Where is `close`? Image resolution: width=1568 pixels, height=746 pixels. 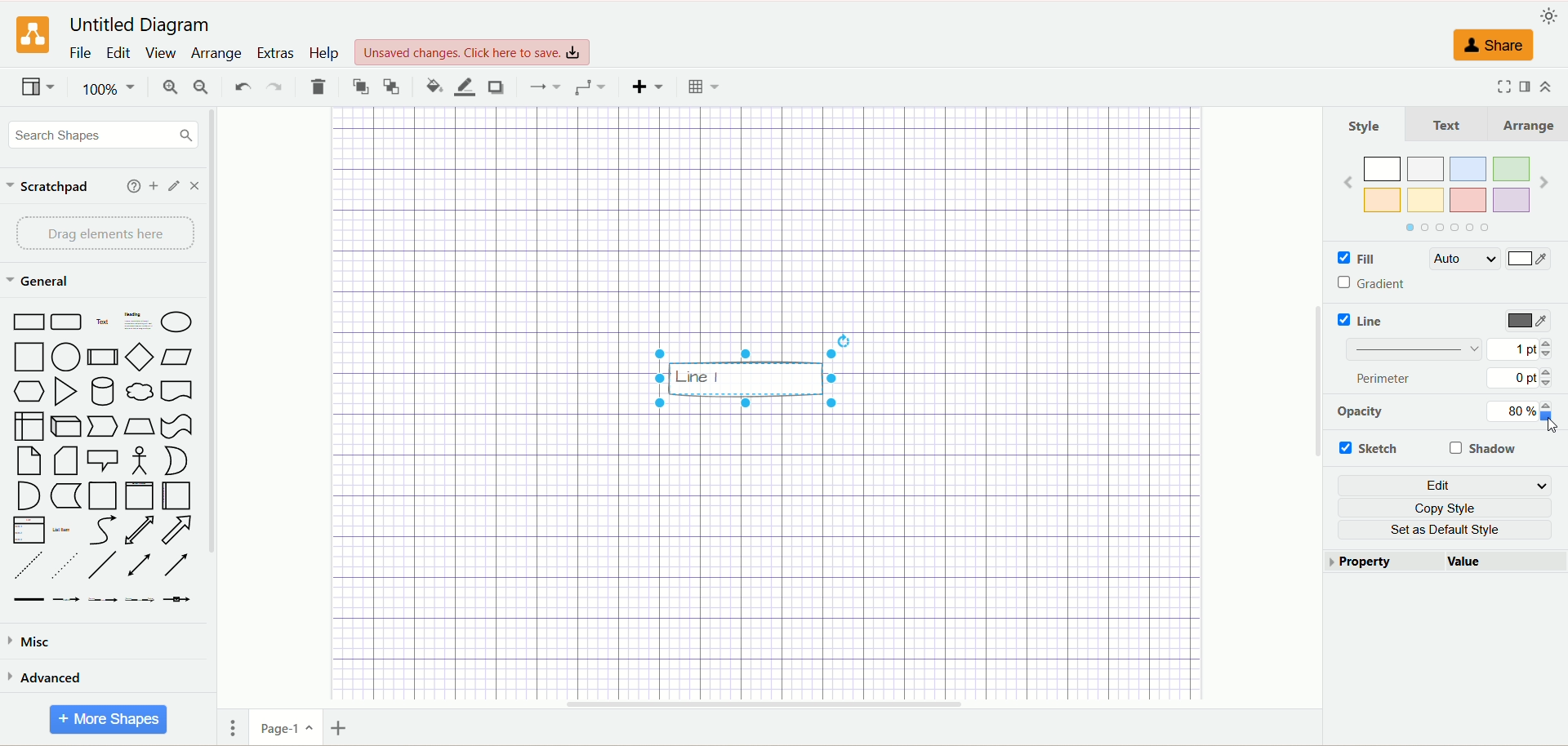 close is located at coordinates (195, 185).